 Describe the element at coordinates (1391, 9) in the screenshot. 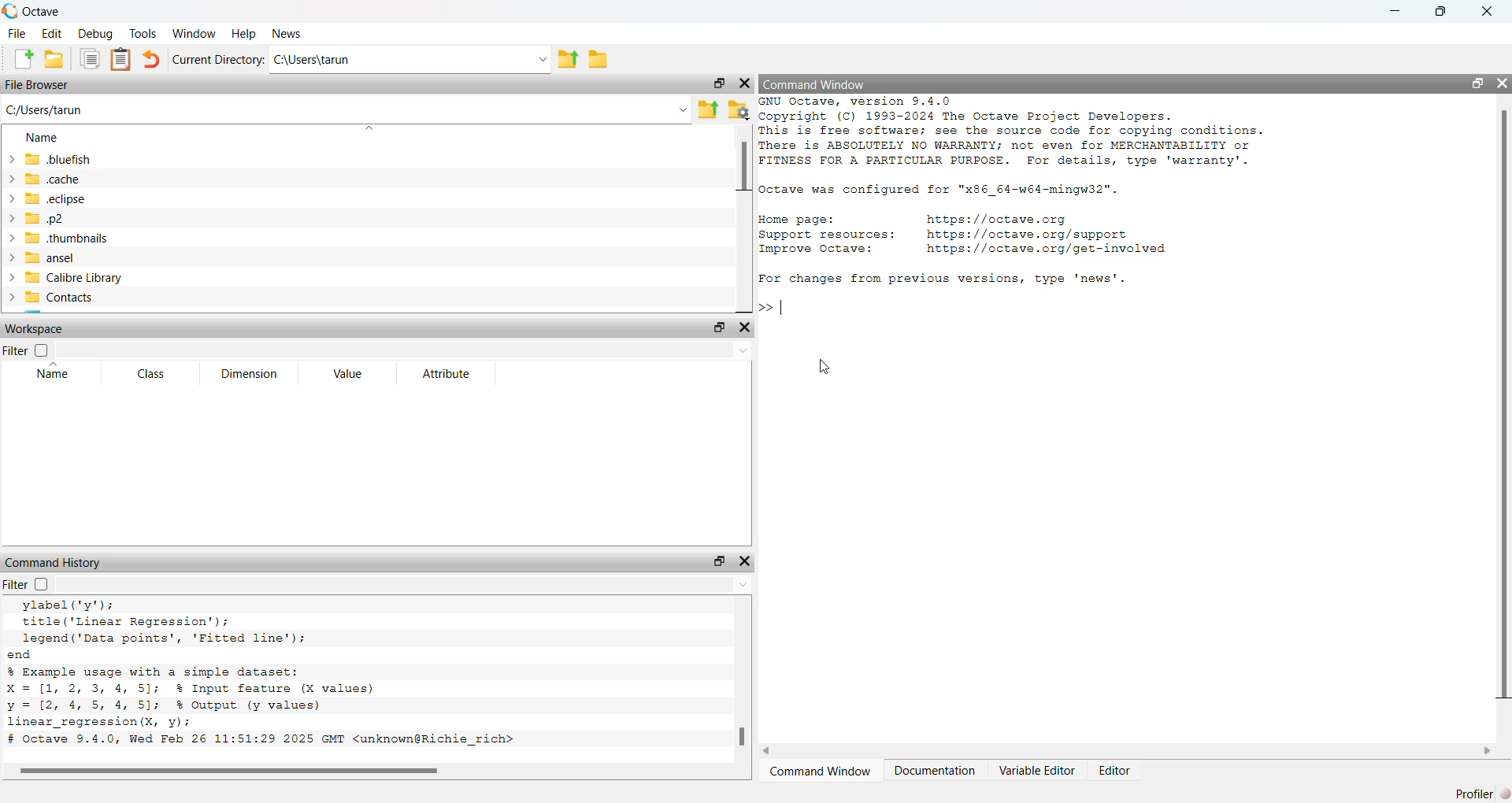

I see `minimize` at that location.